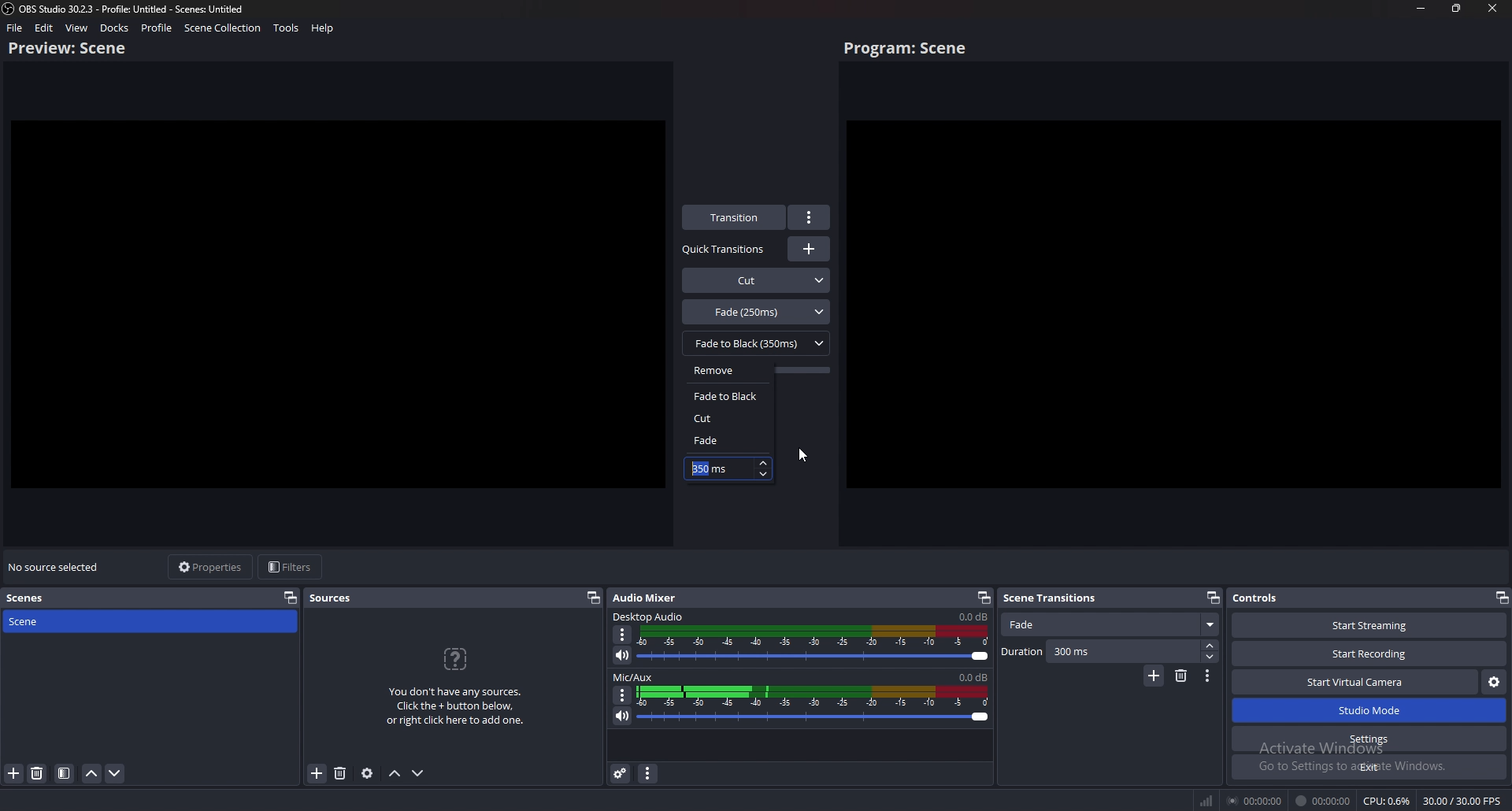  What do you see at coordinates (1054, 597) in the screenshot?
I see `Seen transitions ` at bounding box center [1054, 597].